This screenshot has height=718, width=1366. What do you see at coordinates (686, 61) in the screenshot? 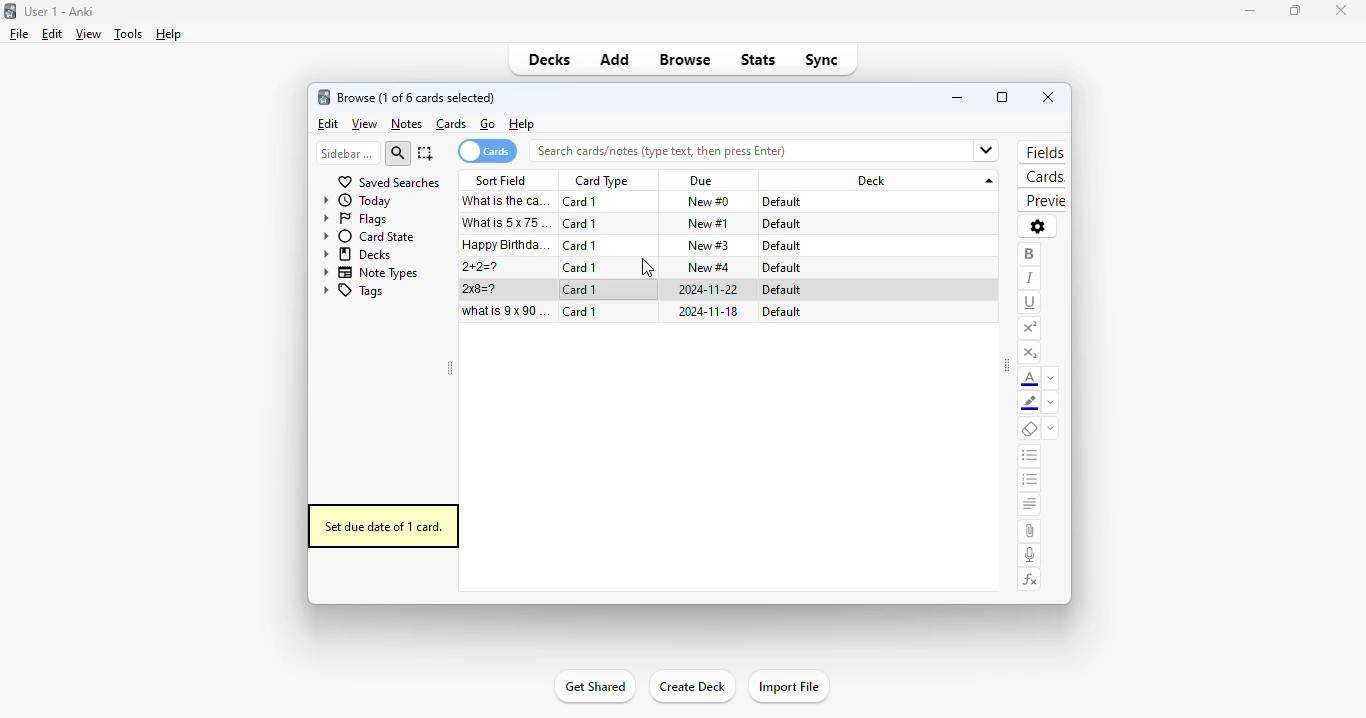
I see `browse` at bounding box center [686, 61].